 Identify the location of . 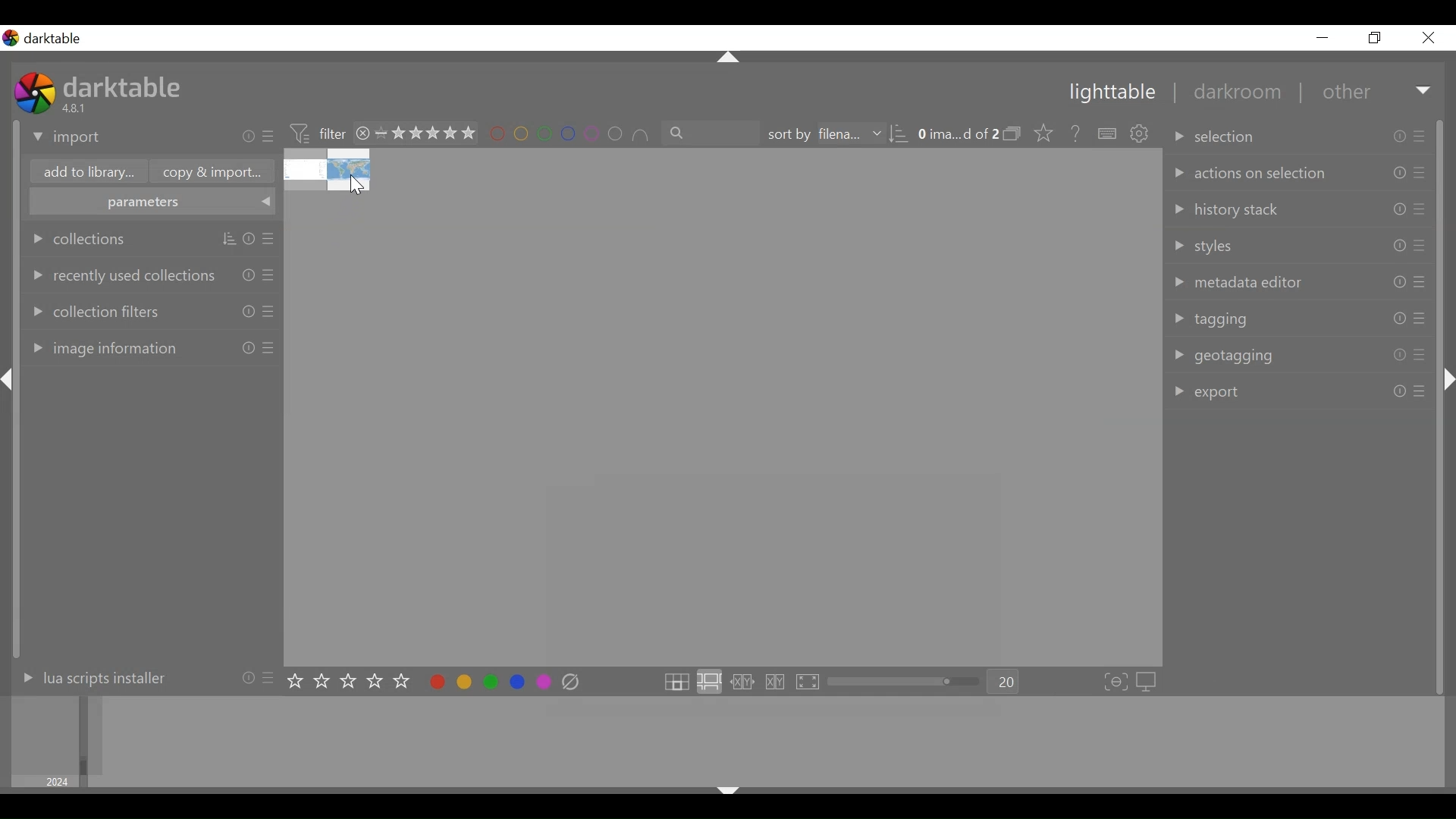
(11, 378).